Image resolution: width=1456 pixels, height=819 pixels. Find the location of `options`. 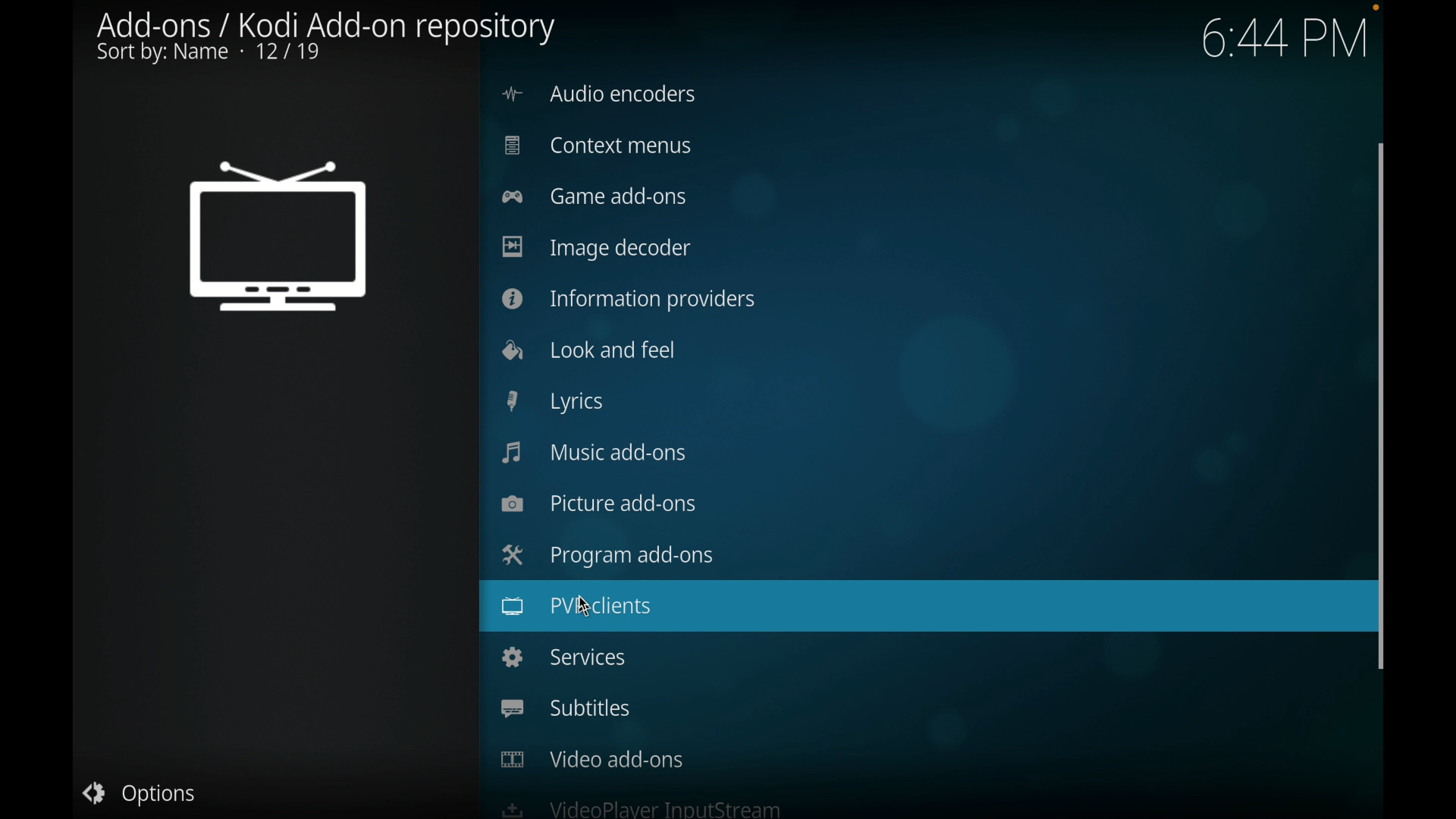

options is located at coordinates (143, 795).